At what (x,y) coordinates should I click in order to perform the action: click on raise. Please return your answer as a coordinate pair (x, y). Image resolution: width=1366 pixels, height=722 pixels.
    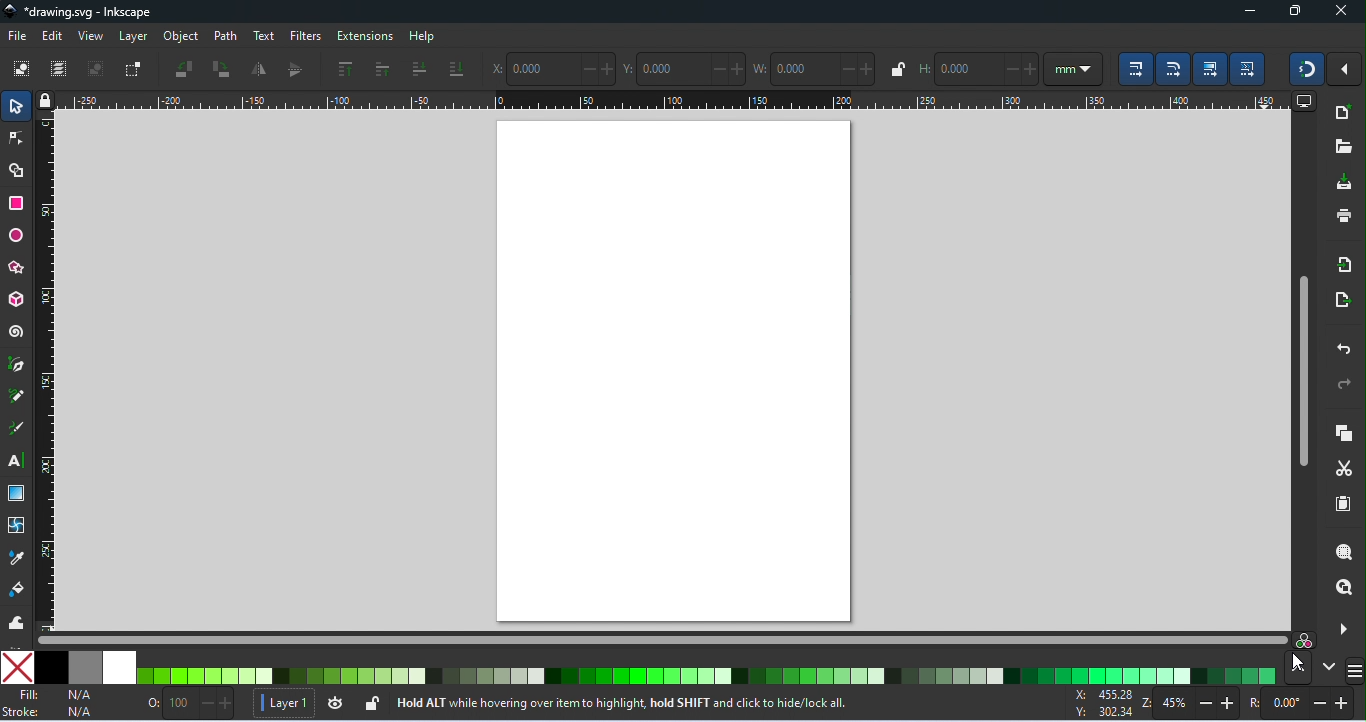
    Looking at the image, I should click on (381, 69).